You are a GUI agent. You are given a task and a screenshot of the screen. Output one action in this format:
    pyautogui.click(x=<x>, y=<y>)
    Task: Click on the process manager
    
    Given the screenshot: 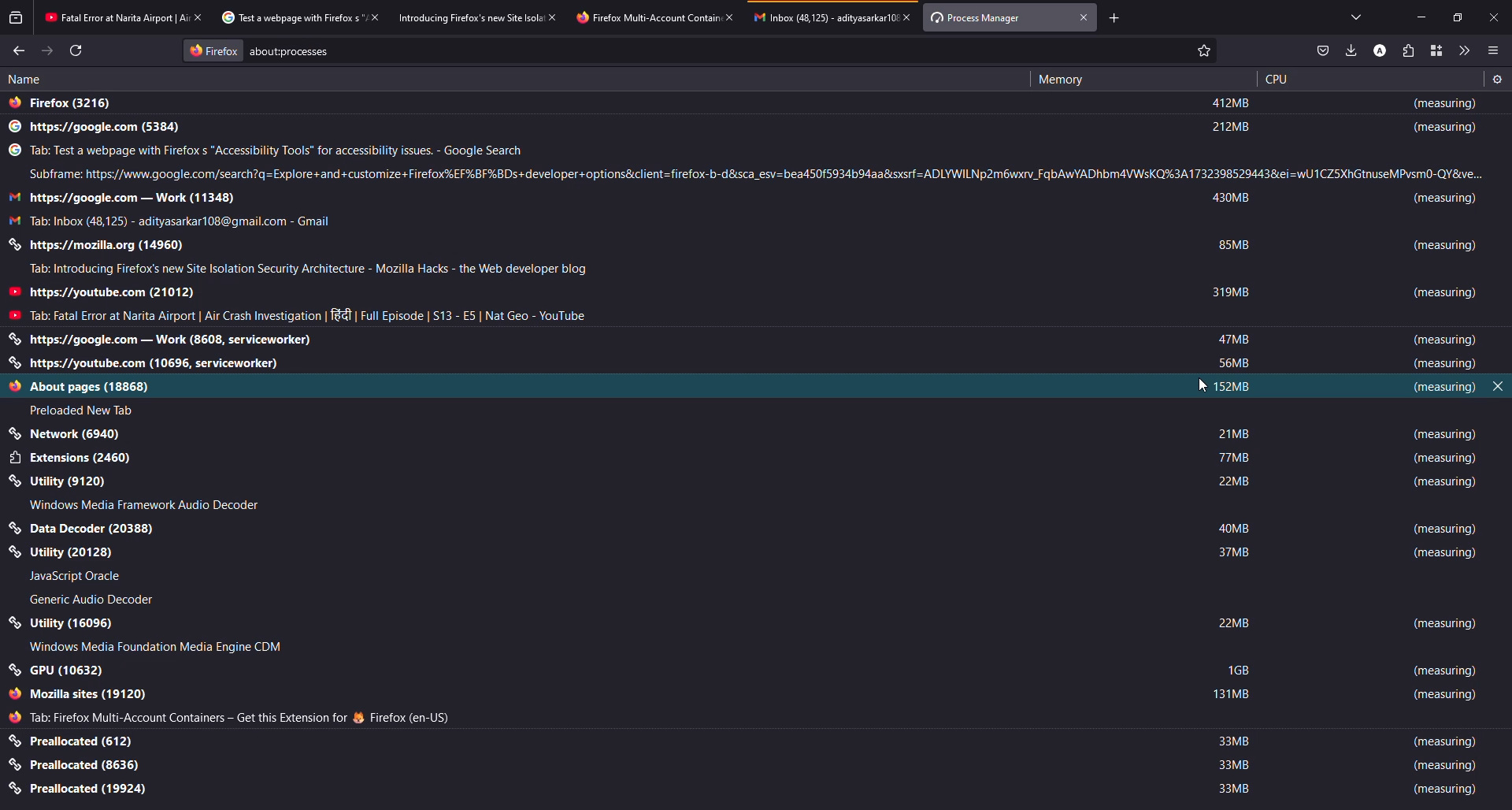 What is the action you would take?
    pyautogui.click(x=984, y=16)
    